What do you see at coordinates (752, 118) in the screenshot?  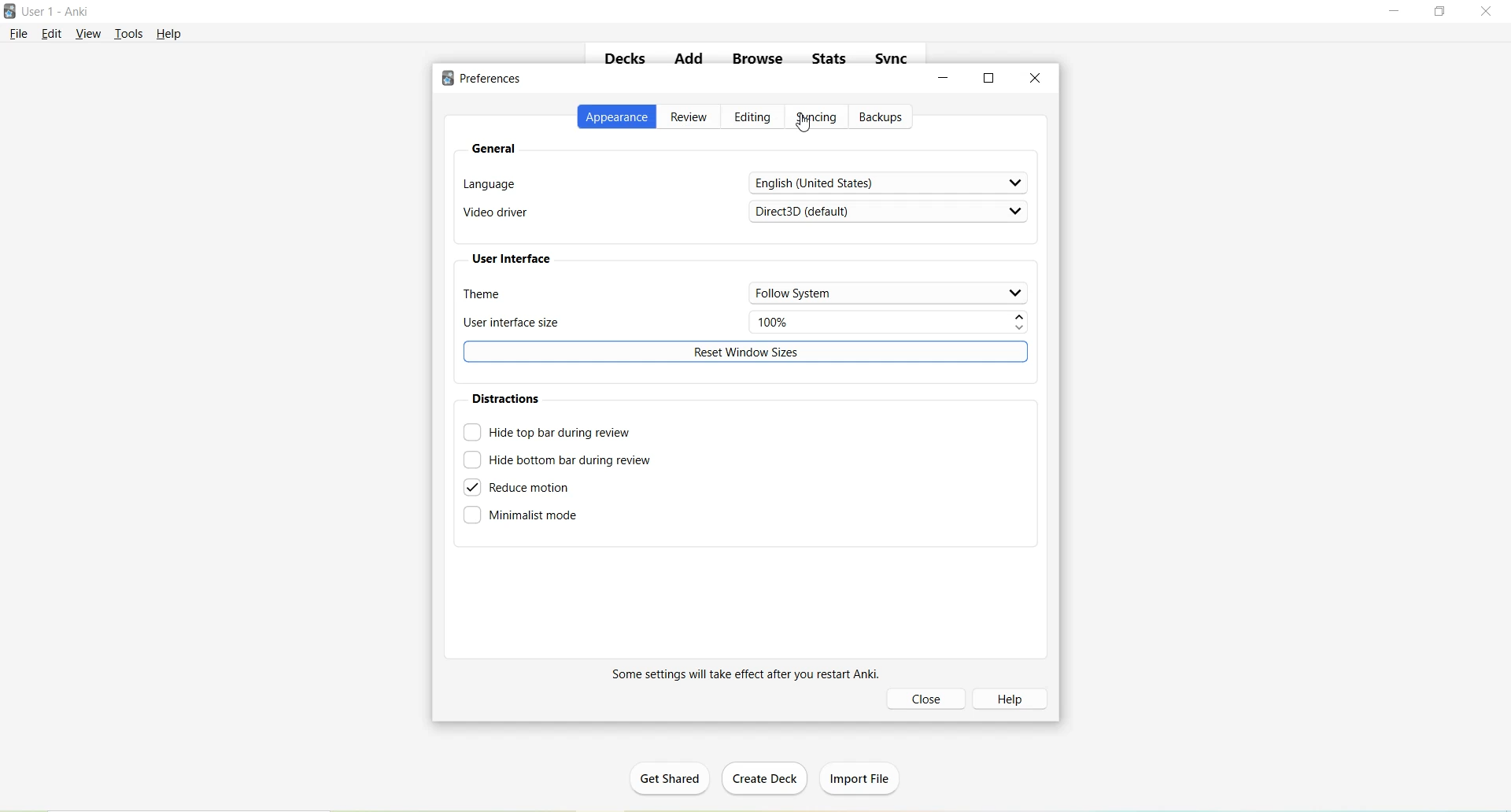 I see `Editing` at bounding box center [752, 118].